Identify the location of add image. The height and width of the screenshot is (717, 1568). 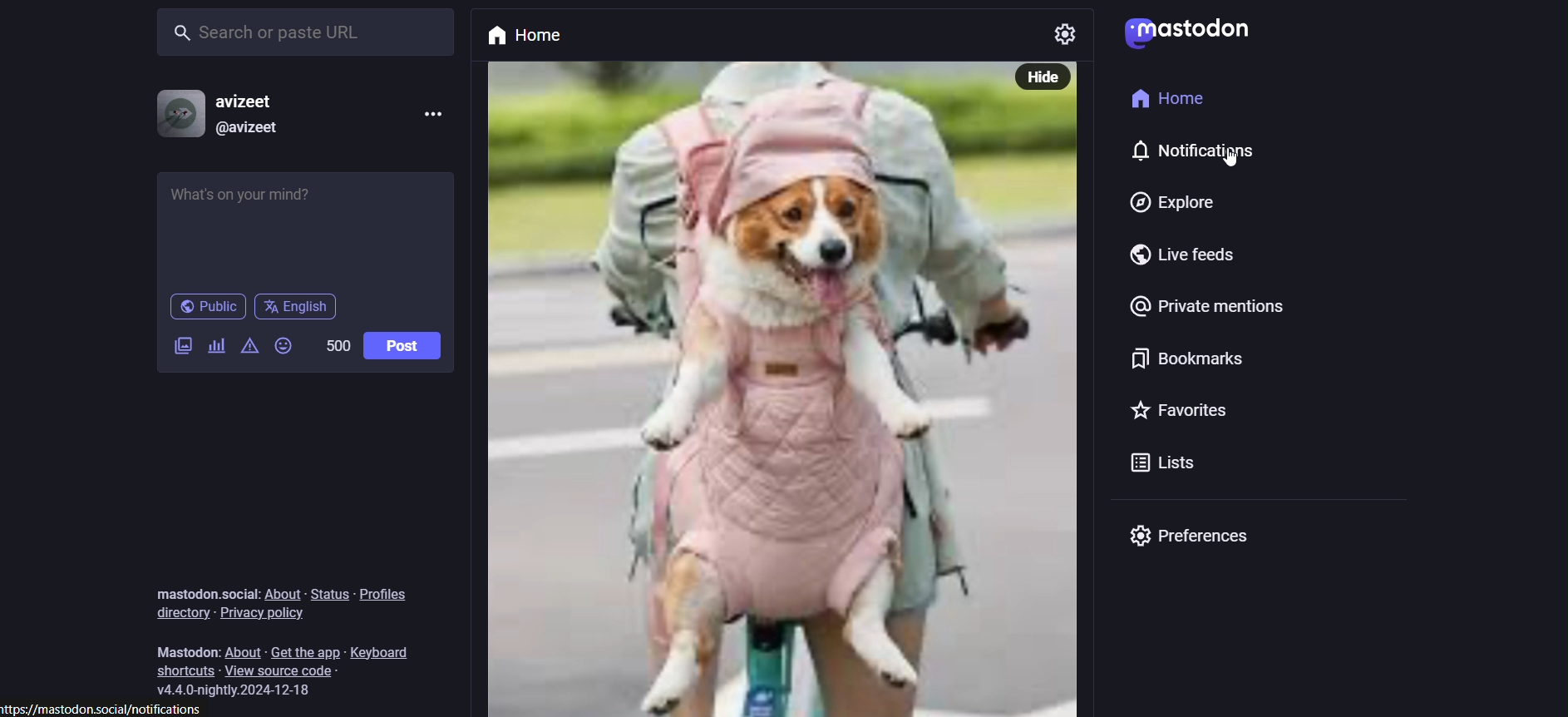
(184, 346).